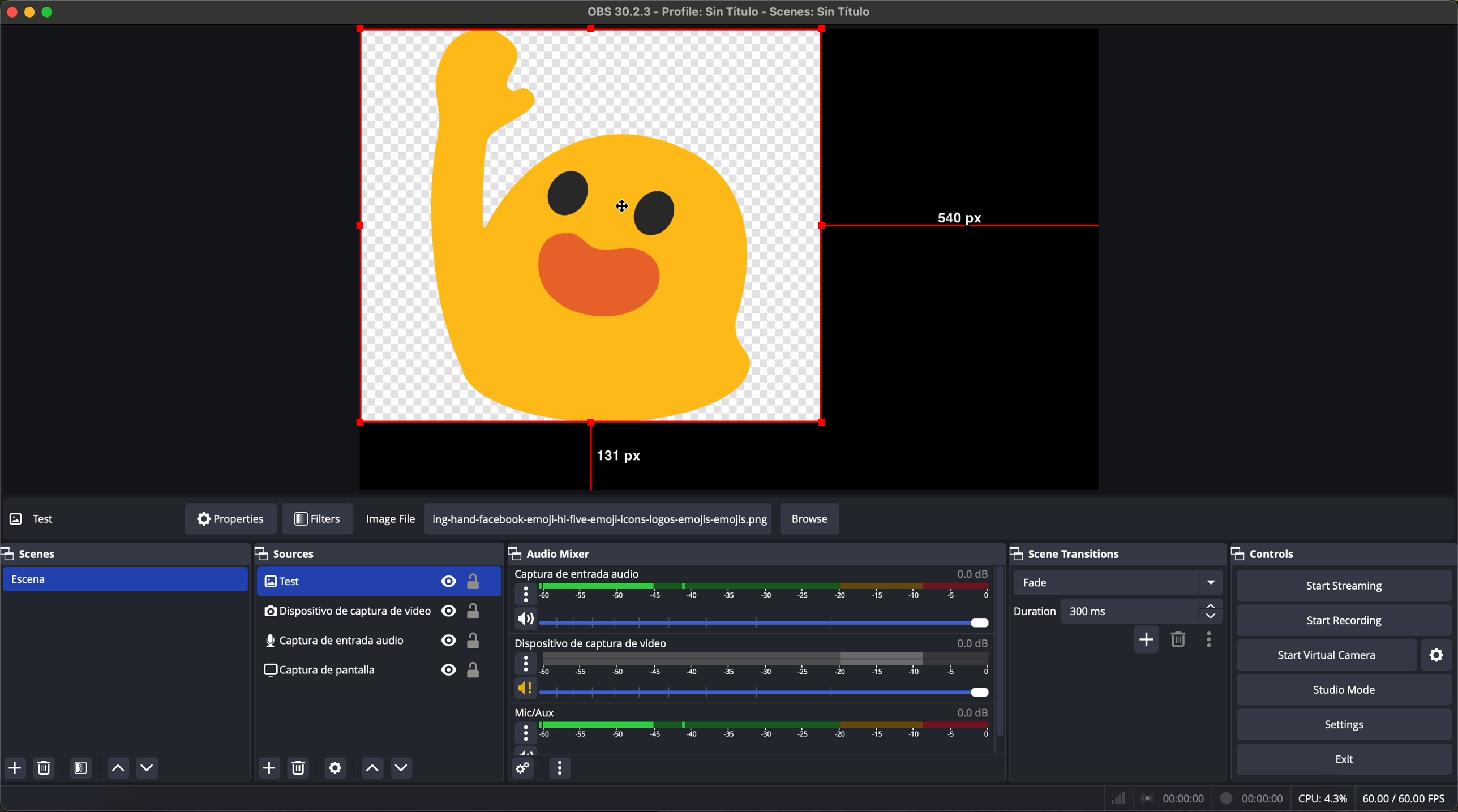 The width and height of the screenshot is (1458, 812). What do you see at coordinates (535, 711) in the screenshot?
I see `mic/aux` at bounding box center [535, 711].